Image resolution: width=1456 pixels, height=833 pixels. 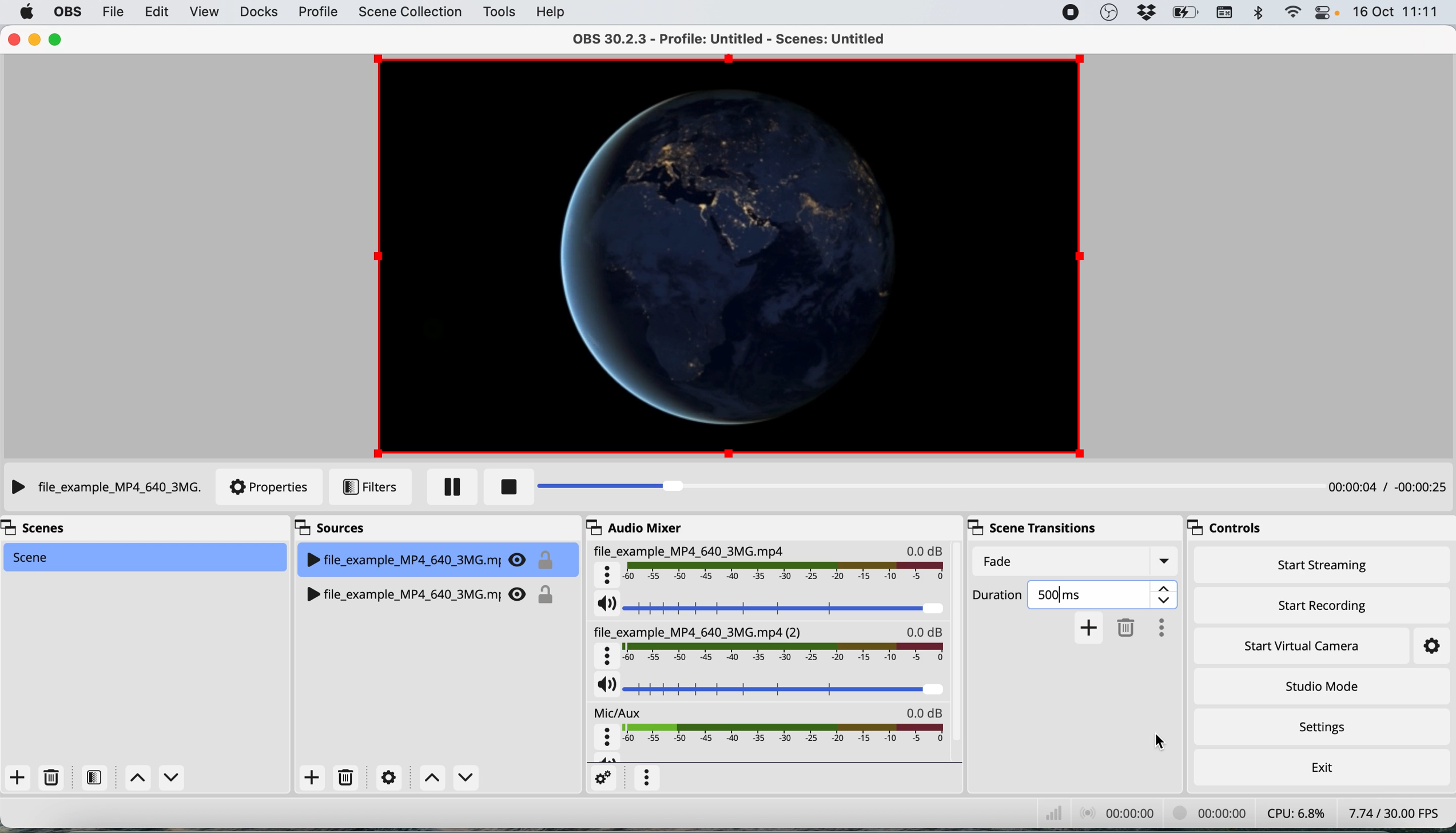 I want to click on settings, so click(x=602, y=779).